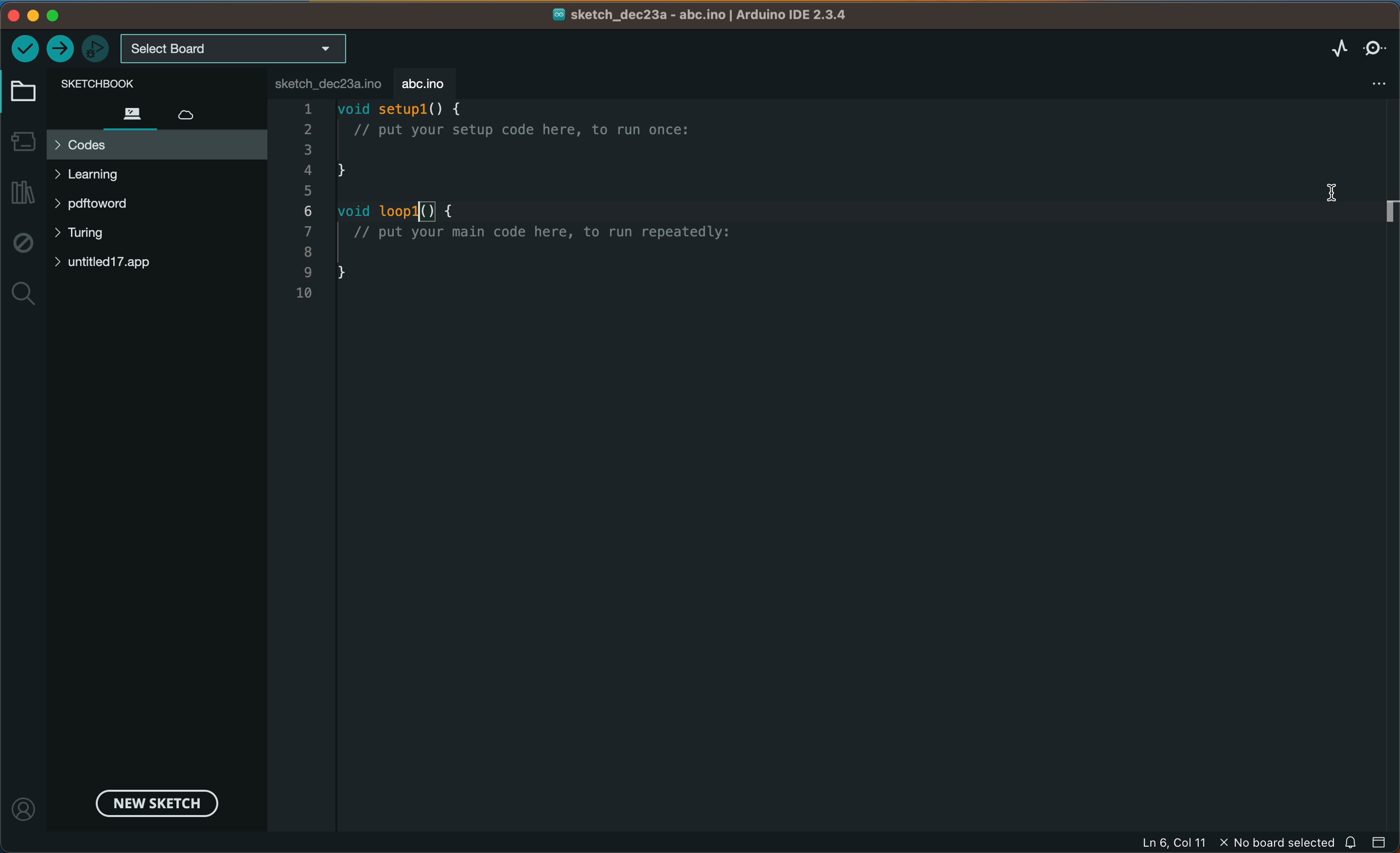 The image size is (1400, 853). Describe the element at coordinates (186, 113) in the screenshot. I see `cloud` at that location.